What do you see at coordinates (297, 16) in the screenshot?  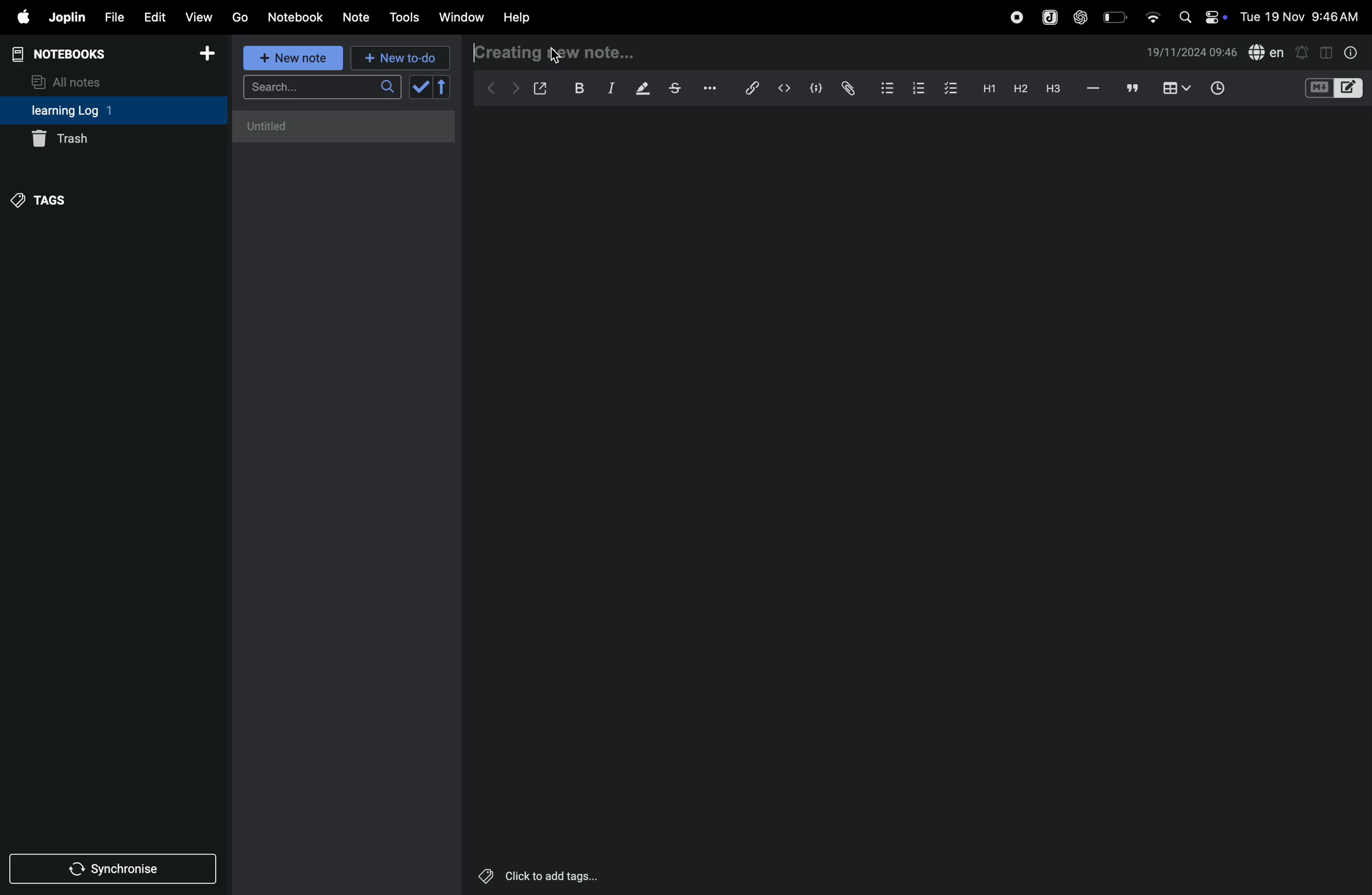 I see `notebook` at bounding box center [297, 16].